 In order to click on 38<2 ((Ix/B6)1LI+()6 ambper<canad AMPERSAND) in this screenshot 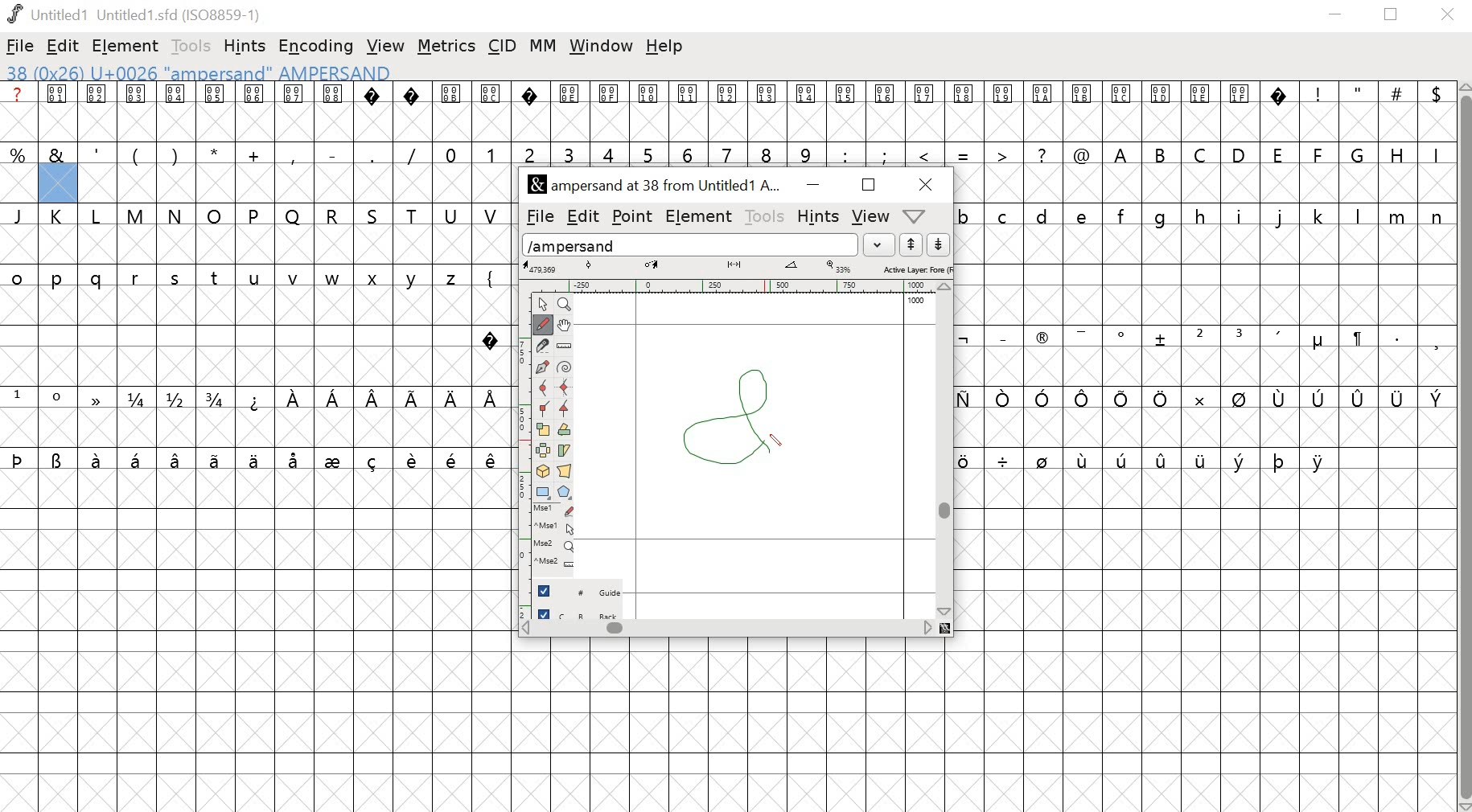, I will do `click(197, 72)`.